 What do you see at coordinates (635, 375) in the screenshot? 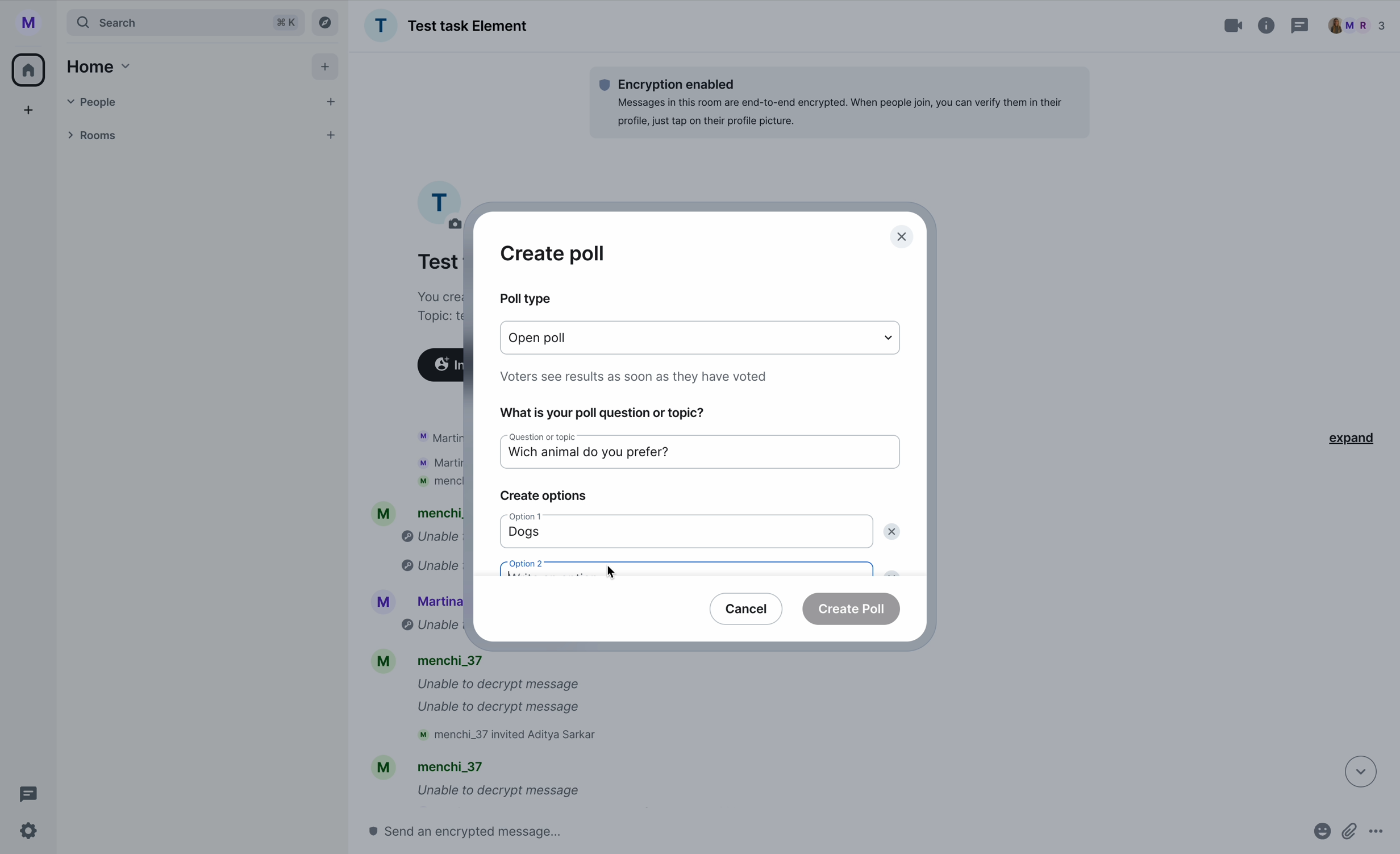
I see `note` at bounding box center [635, 375].